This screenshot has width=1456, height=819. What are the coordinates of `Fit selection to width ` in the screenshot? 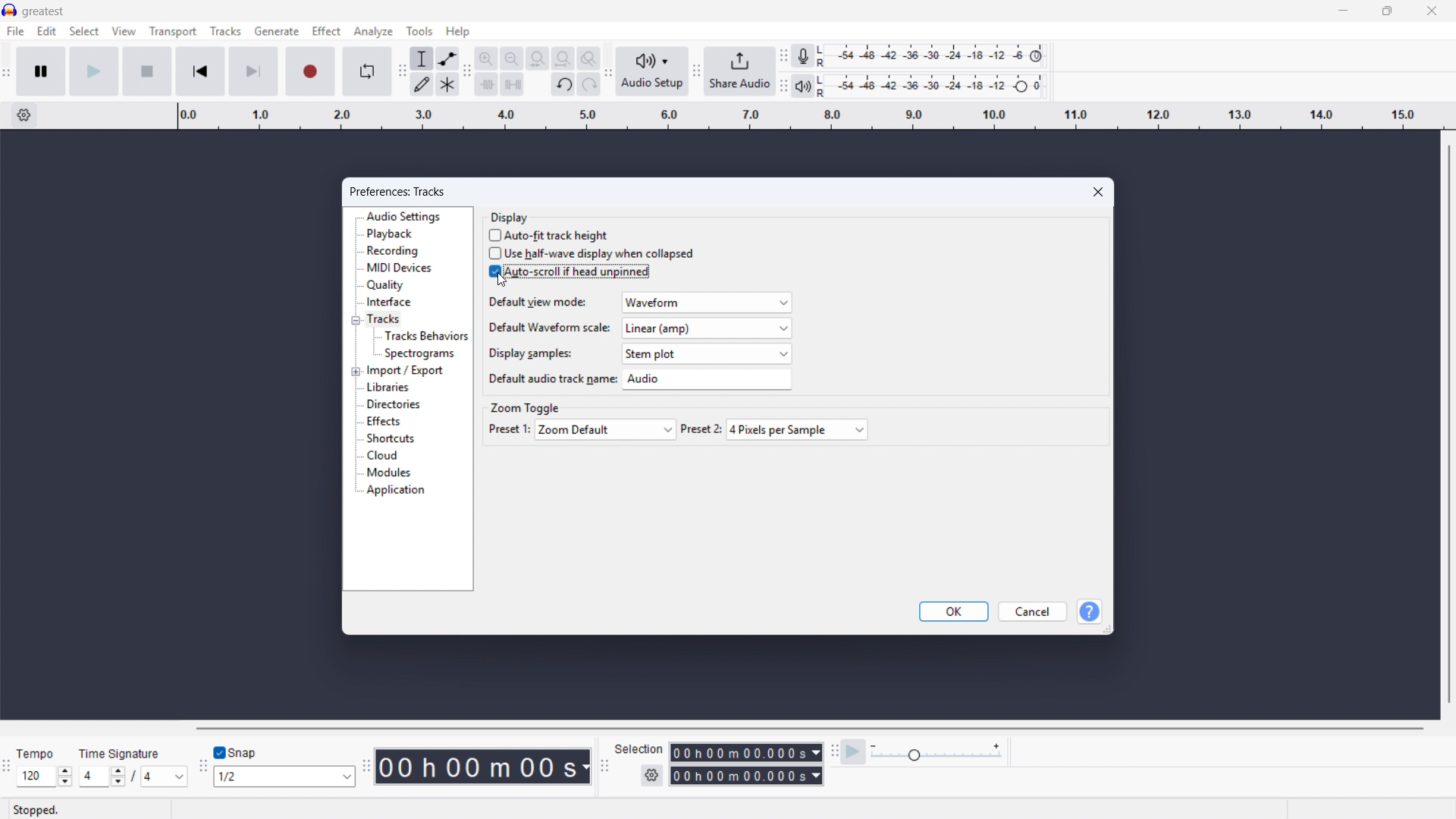 It's located at (538, 59).